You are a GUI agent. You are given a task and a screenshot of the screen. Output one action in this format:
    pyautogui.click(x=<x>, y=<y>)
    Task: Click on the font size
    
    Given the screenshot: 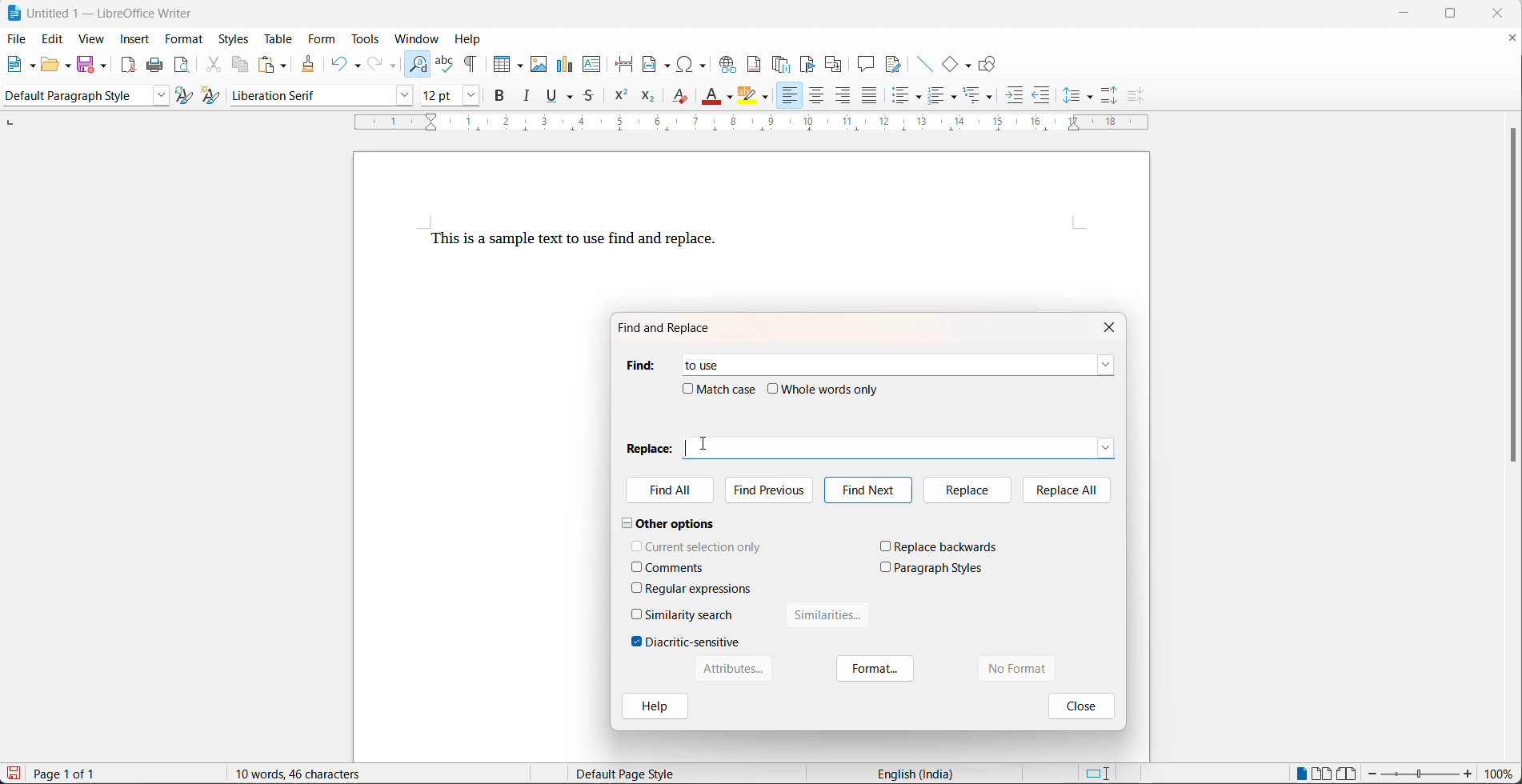 What is the action you would take?
    pyautogui.click(x=436, y=98)
    